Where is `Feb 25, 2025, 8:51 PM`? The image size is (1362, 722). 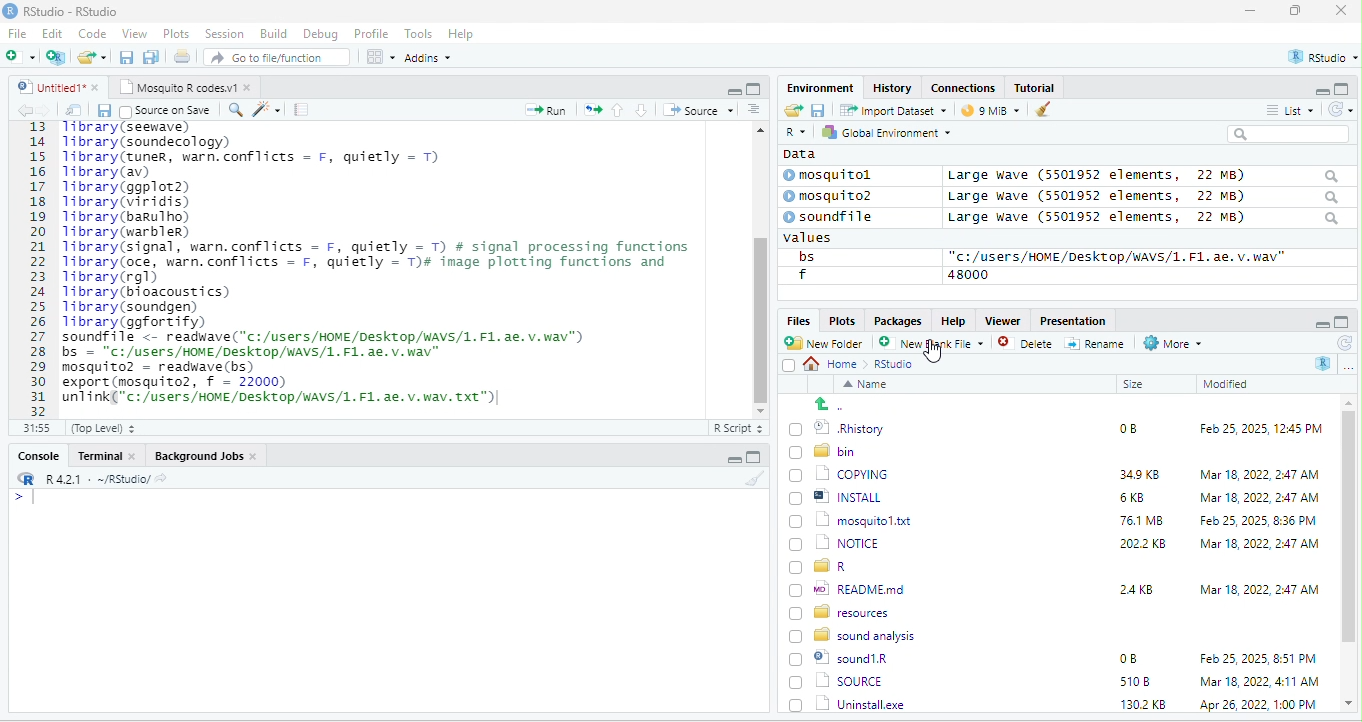
Feb 25, 2025, 8:51 PM is located at coordinates (1259, 659).